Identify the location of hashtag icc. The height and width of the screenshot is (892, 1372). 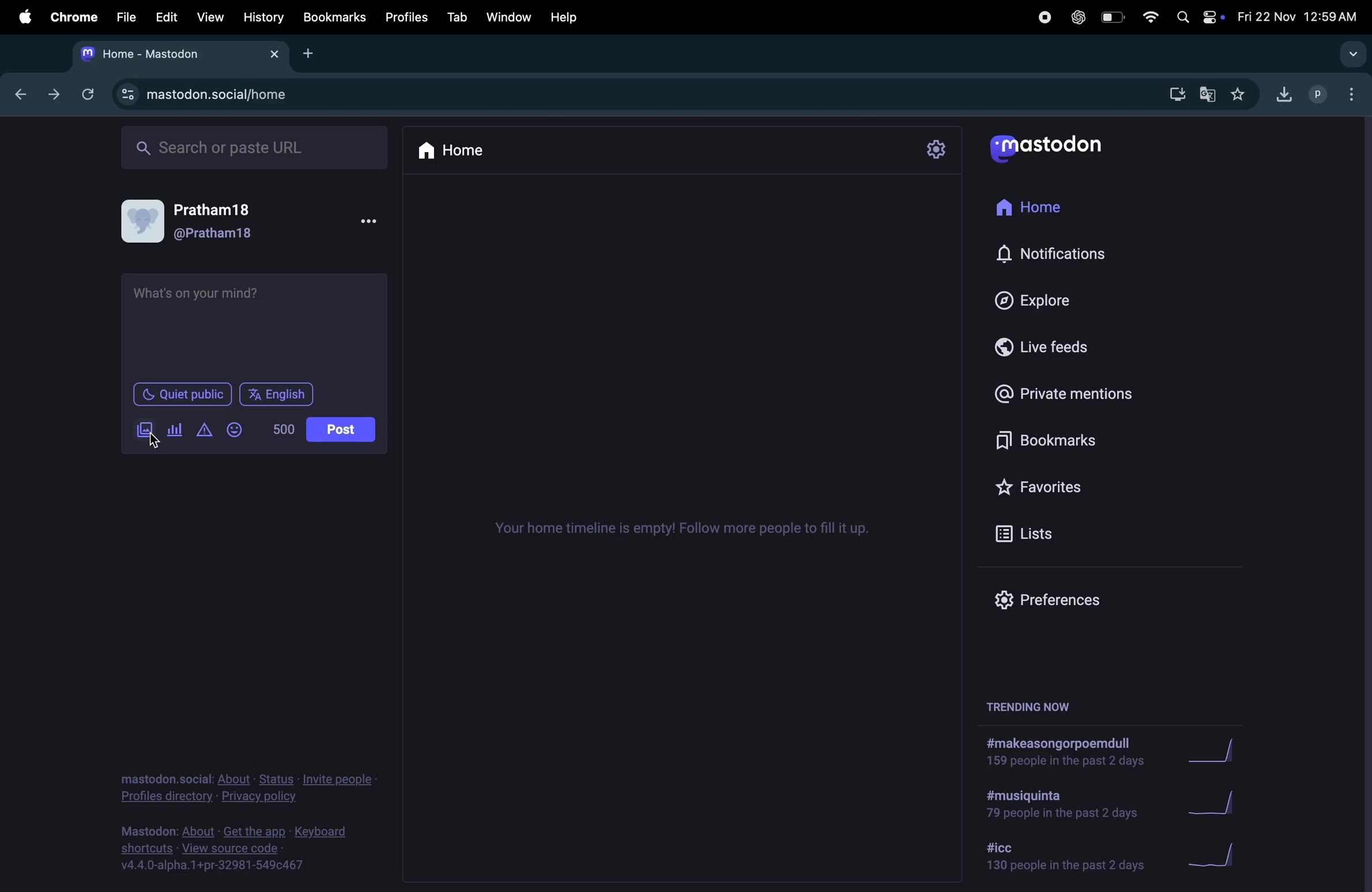
(1057, 857).